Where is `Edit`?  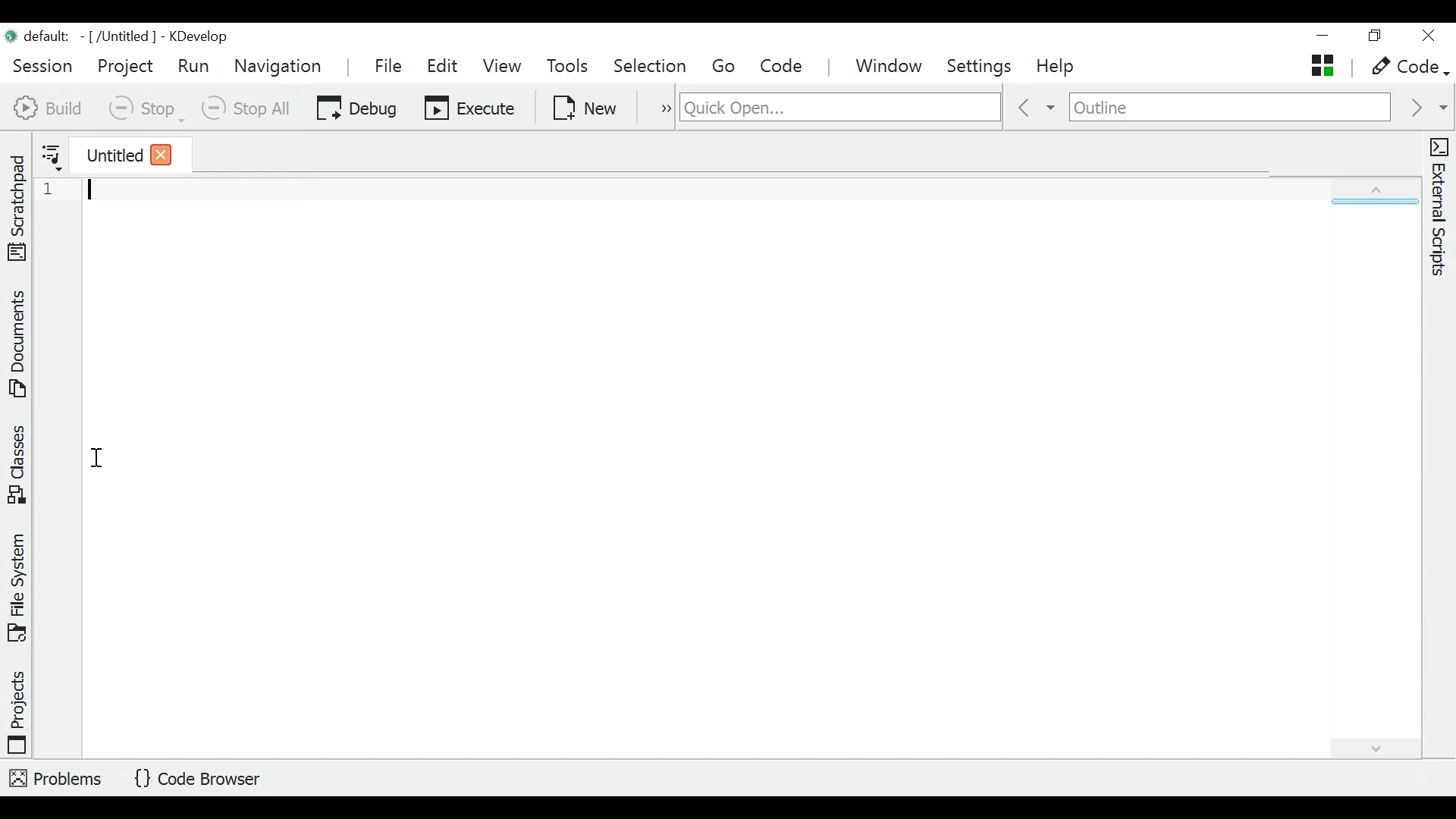 Edit is located at coordinates (442, 65).